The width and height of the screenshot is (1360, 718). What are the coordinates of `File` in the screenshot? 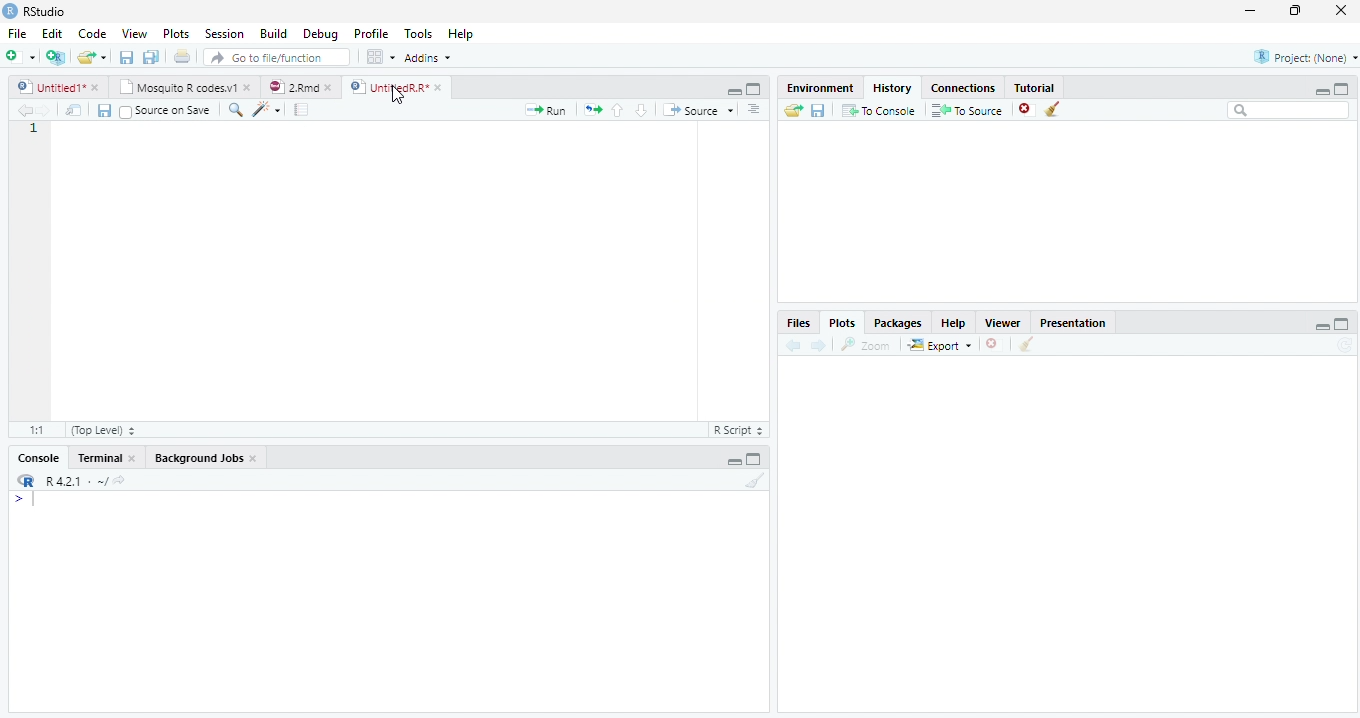 It's located at (14, 34).